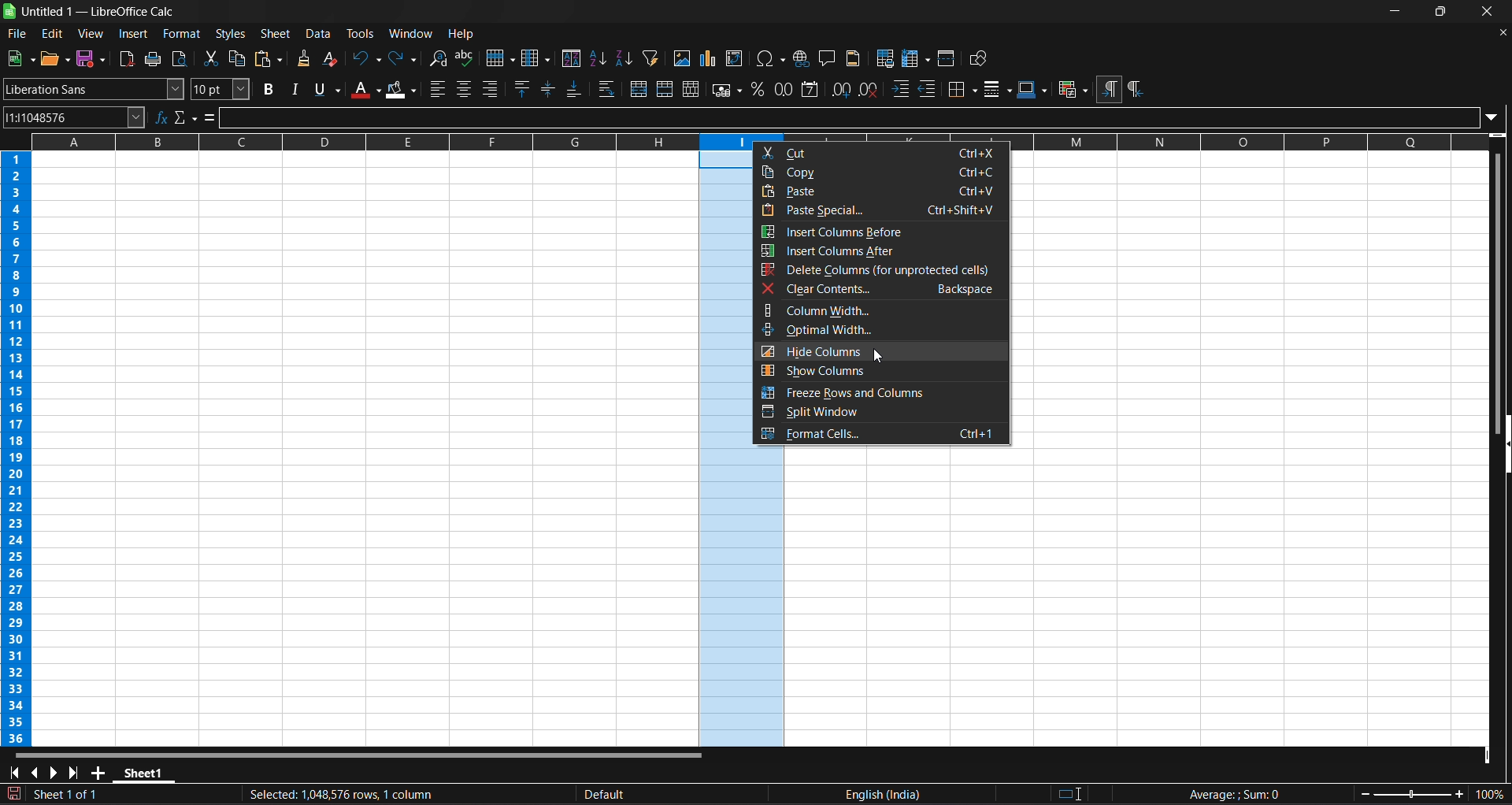  I want to click on minimize, so click(1395, 13).